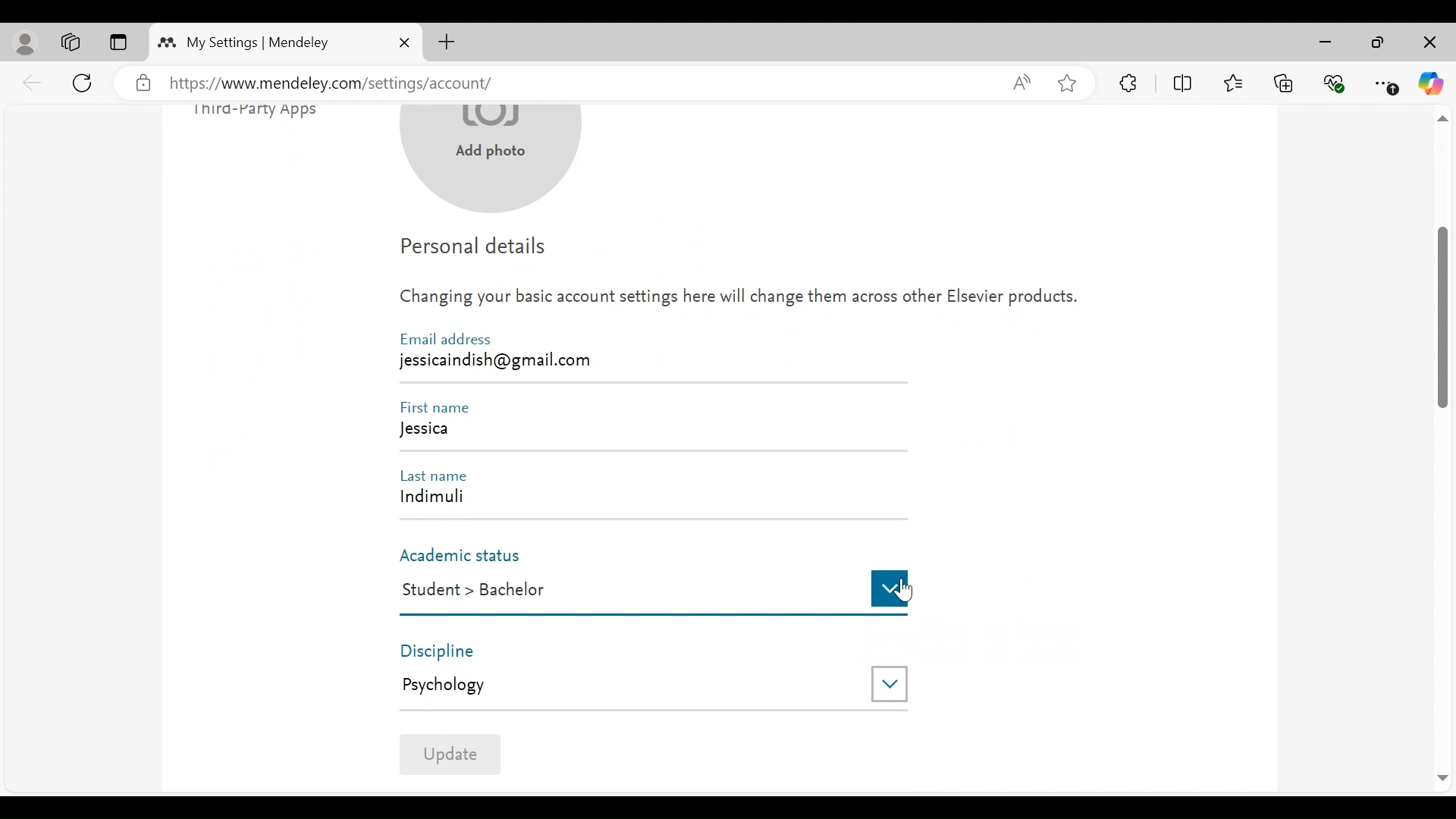 This screenshot has height=819, width=1456. What do you see at coordinates (447, 42) in the screenshot?
I see `New Tab` at bounding box center [447, 42].